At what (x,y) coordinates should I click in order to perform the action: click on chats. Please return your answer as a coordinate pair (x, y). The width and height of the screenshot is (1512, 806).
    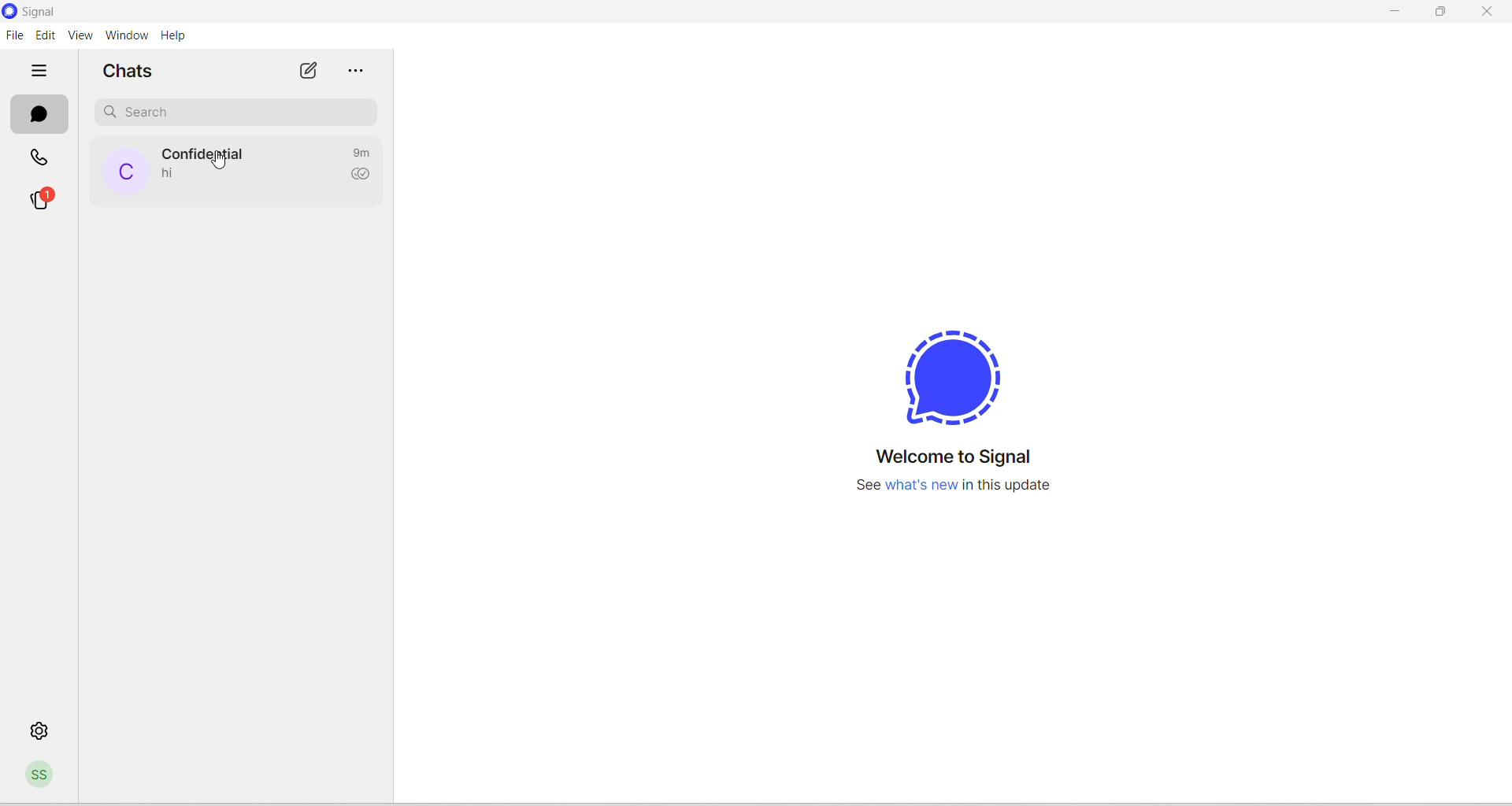
    Looking at the image, I should click on (41, 113).